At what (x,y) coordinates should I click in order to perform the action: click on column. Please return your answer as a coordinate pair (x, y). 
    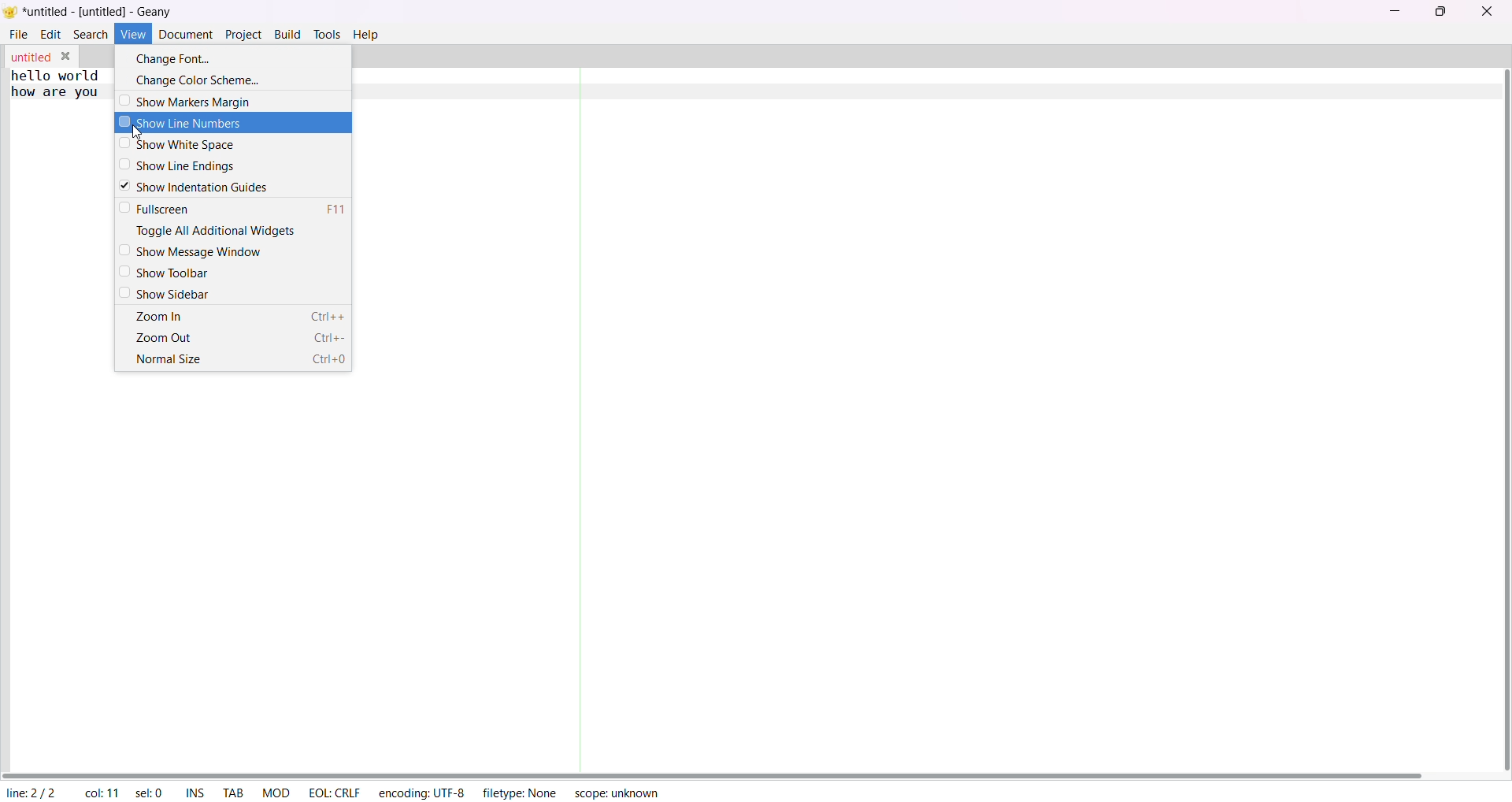
    Looking at the image, I should click on (101, 793).